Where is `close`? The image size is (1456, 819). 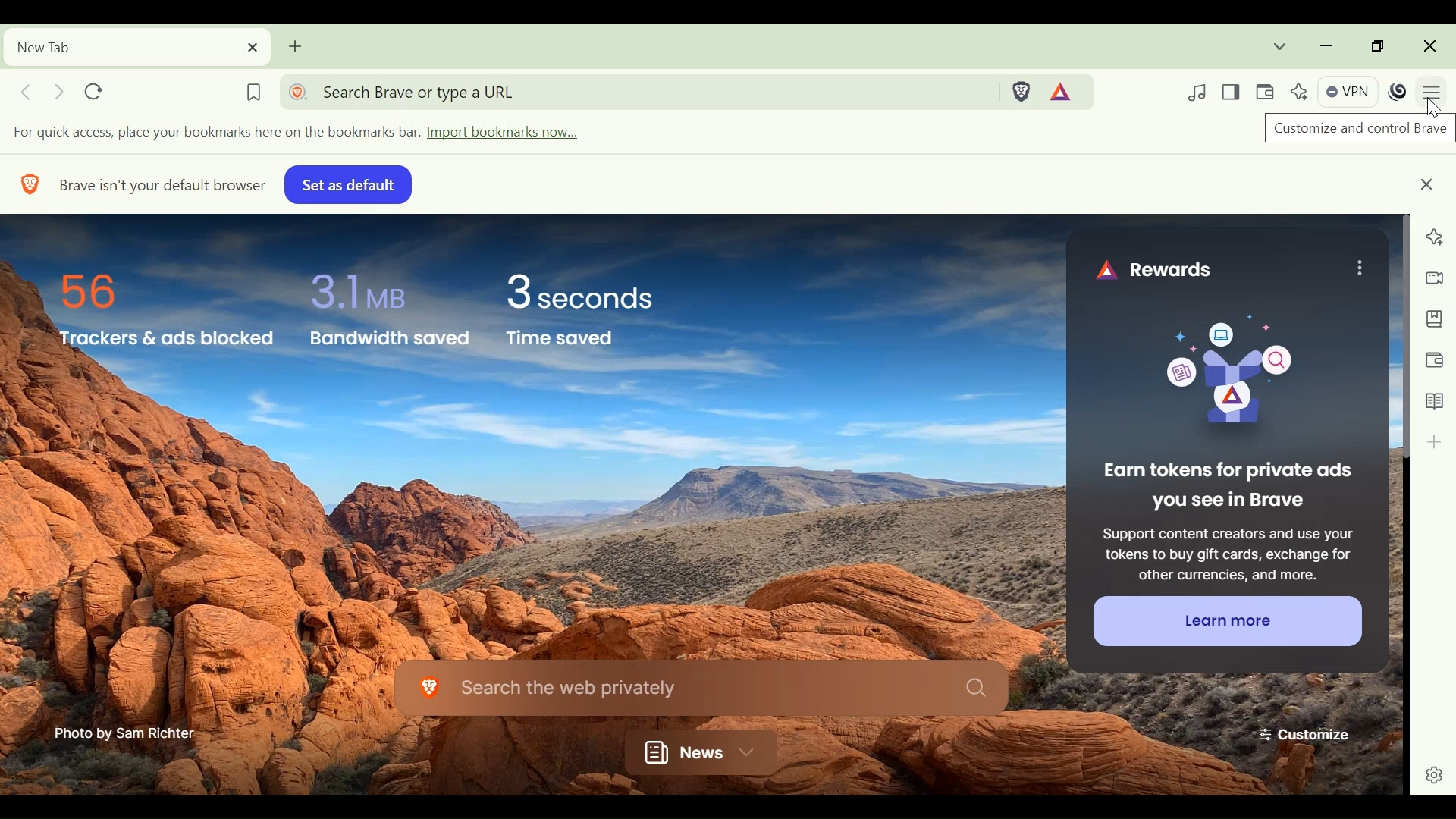 close is located at coordinates (1425, 183).